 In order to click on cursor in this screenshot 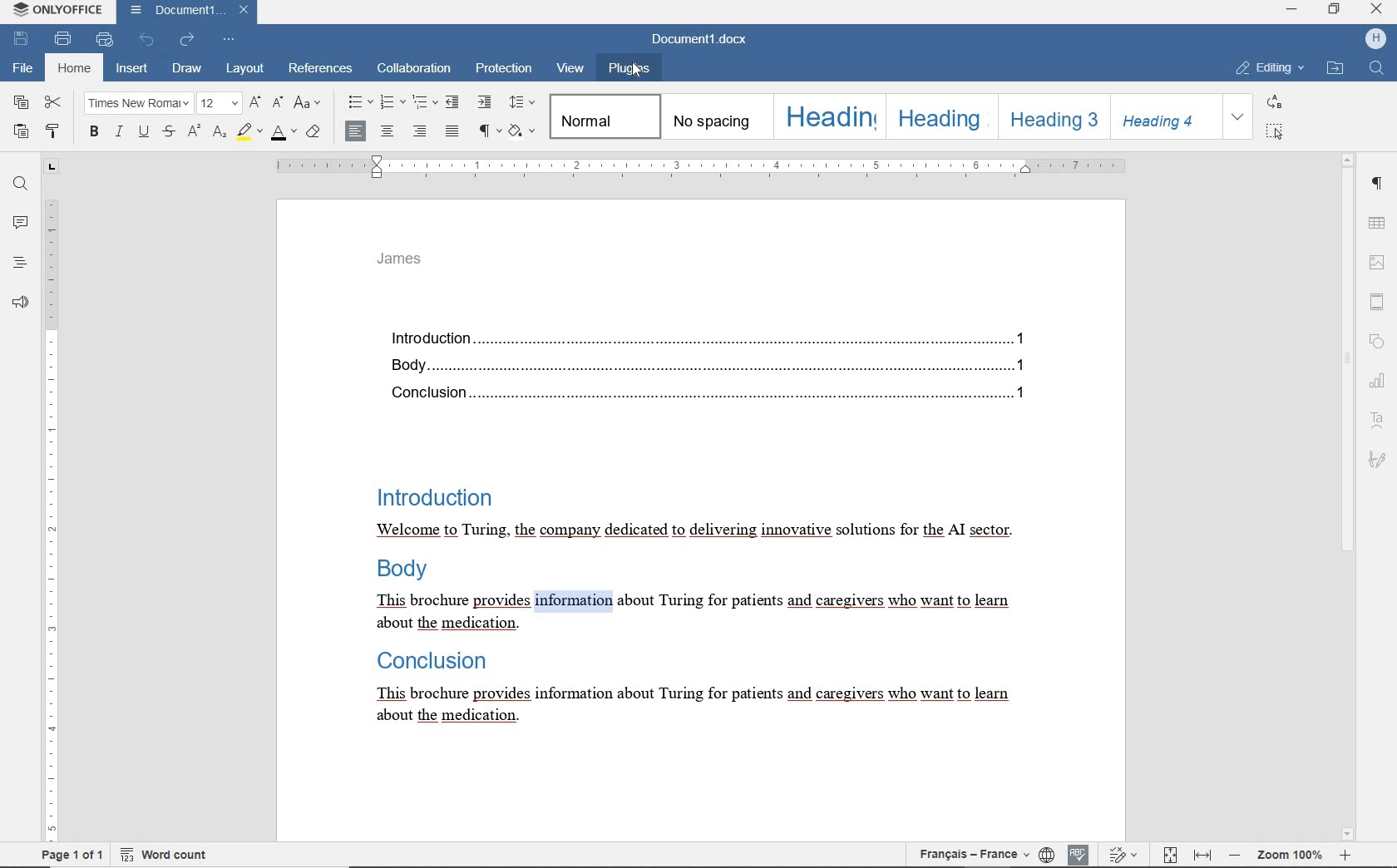, I will do `click(638, 72)`.